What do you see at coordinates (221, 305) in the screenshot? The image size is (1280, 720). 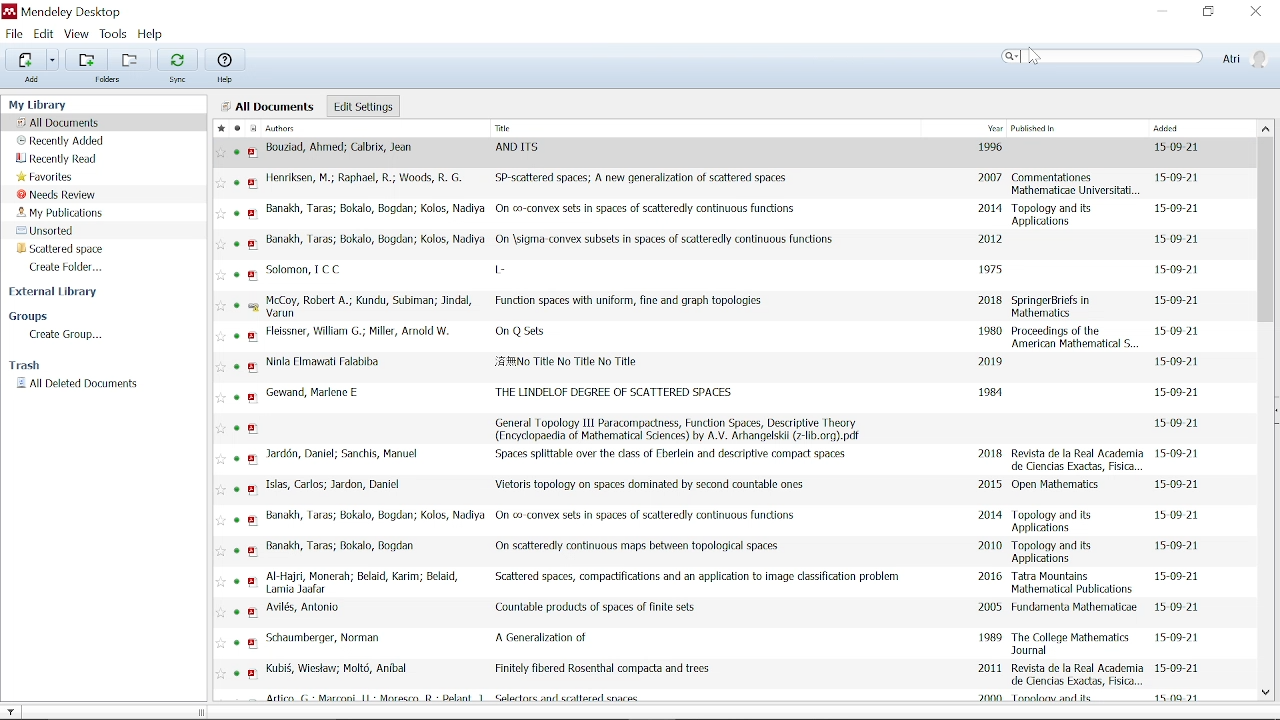 I see `Add to favorite` at bounding box center [221, 305].